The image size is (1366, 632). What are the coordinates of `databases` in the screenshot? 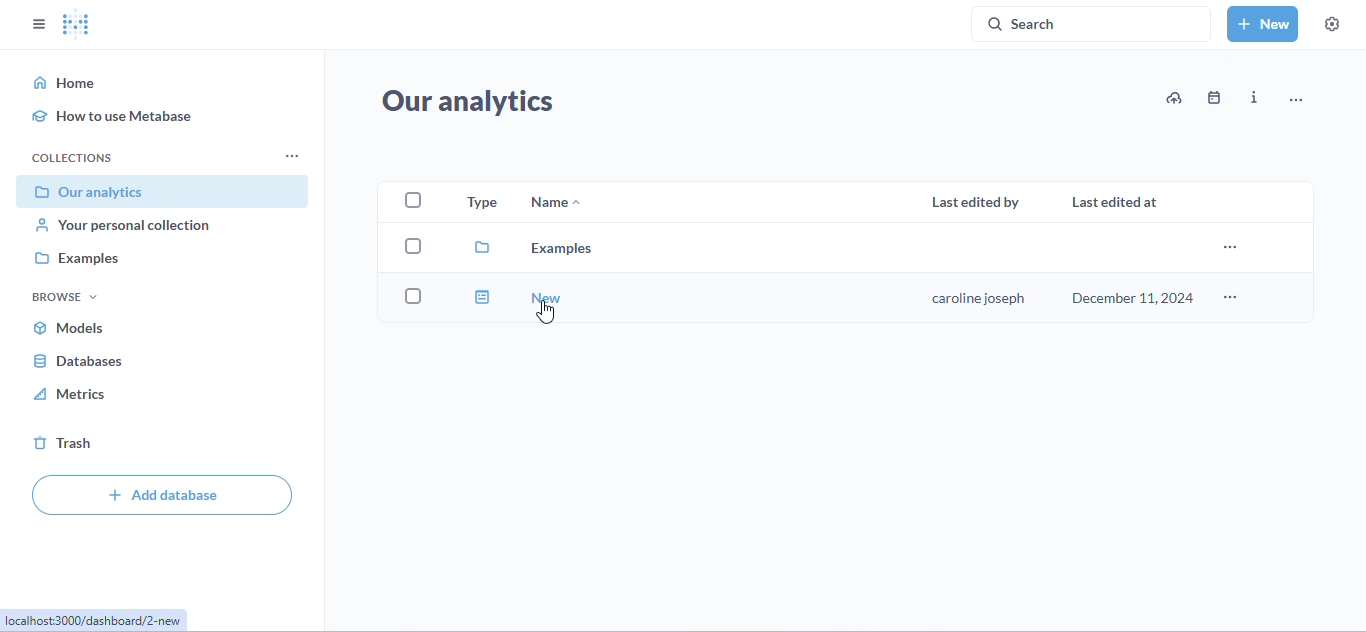 It's located at (79, 361).